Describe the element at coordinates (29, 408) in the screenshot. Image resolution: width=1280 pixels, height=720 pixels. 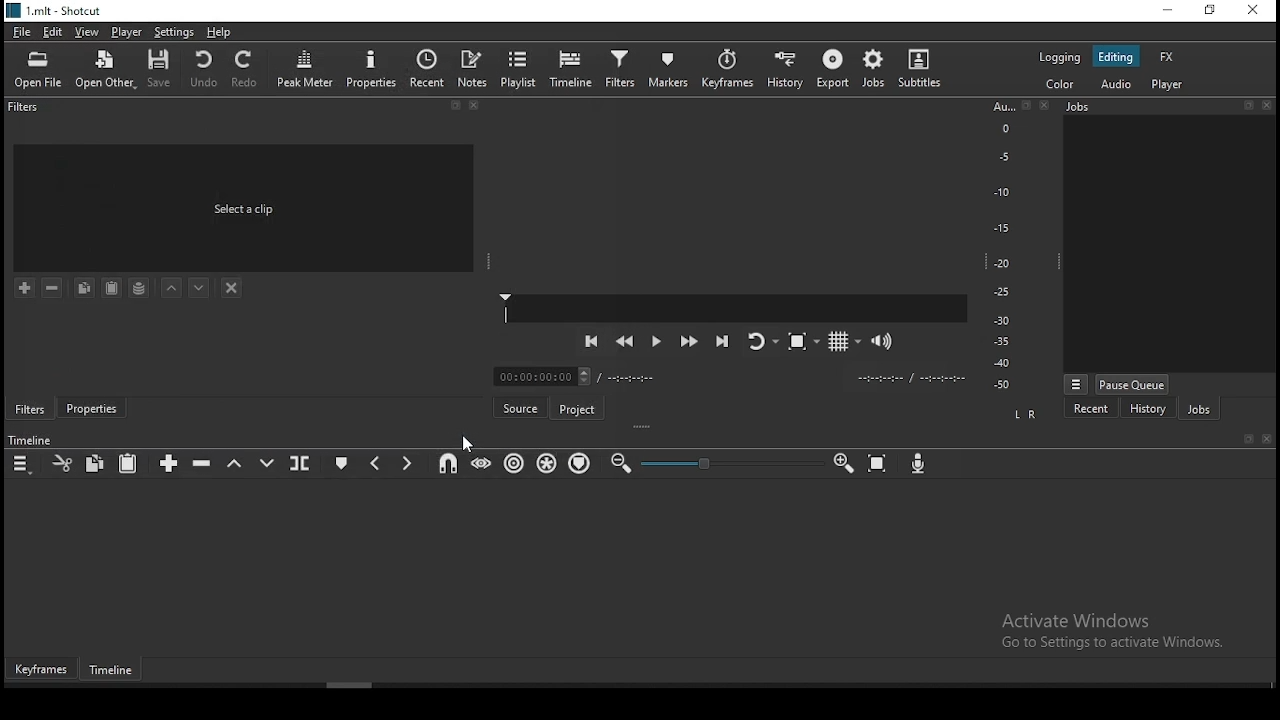
I see `filters` at that location.